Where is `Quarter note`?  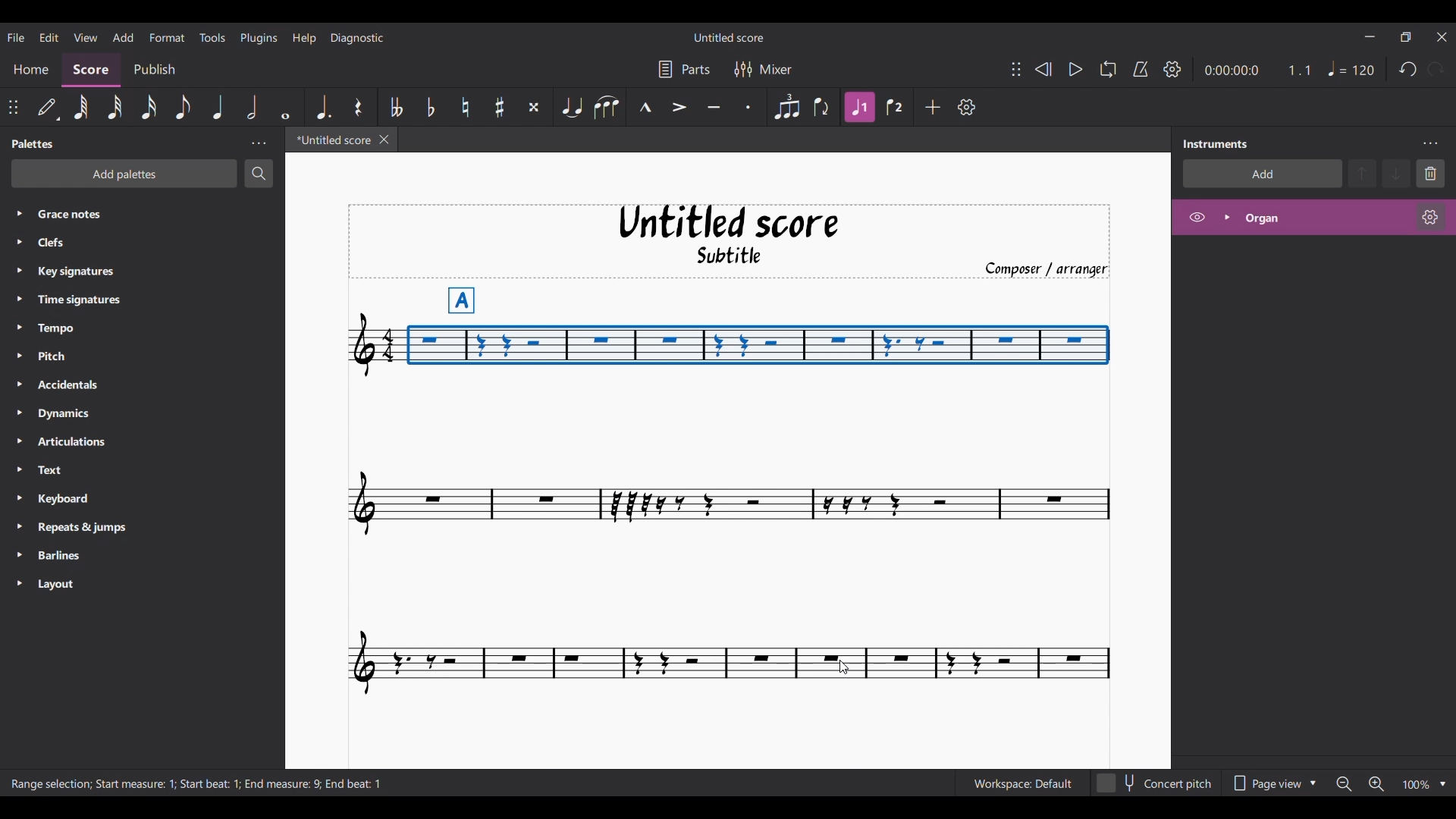 Quarter note is located at coordinates (1351, 68).